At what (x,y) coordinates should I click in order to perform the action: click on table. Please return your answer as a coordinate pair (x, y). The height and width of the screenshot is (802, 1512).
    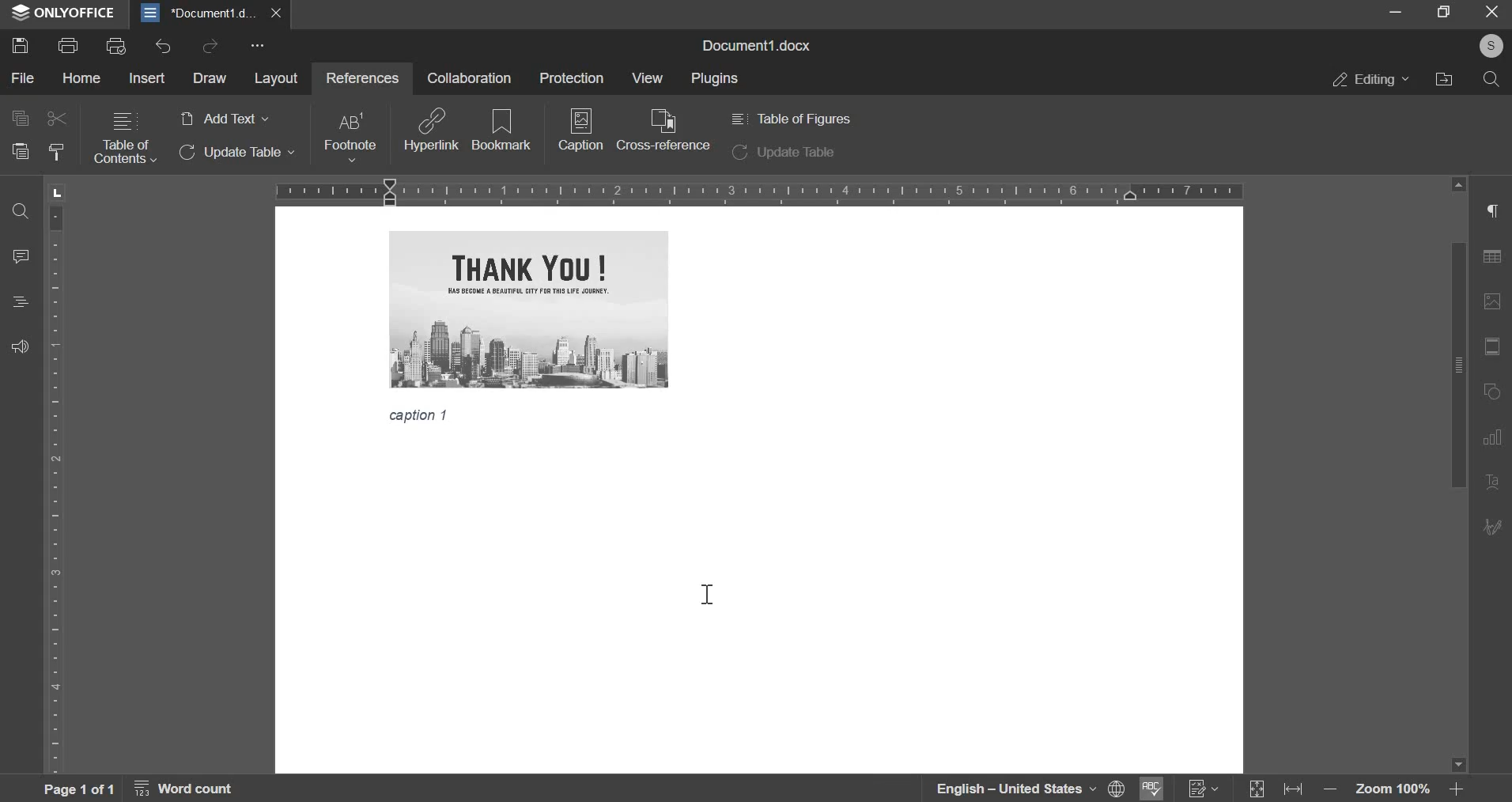
    Looking at the image, I should click on (1497, 260).